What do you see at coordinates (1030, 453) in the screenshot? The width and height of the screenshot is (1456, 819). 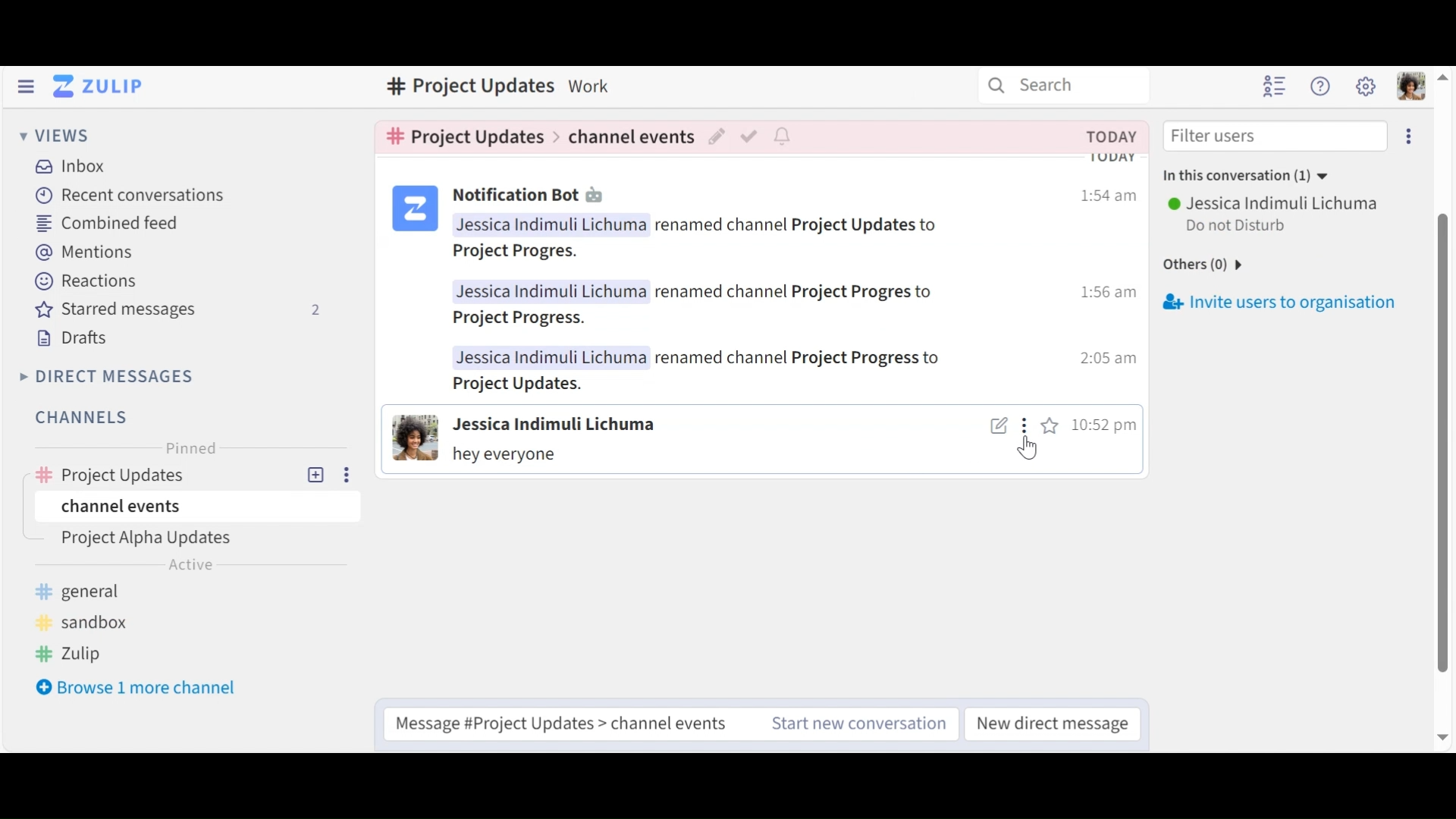 I see `` at bounding box center [1030, 453].